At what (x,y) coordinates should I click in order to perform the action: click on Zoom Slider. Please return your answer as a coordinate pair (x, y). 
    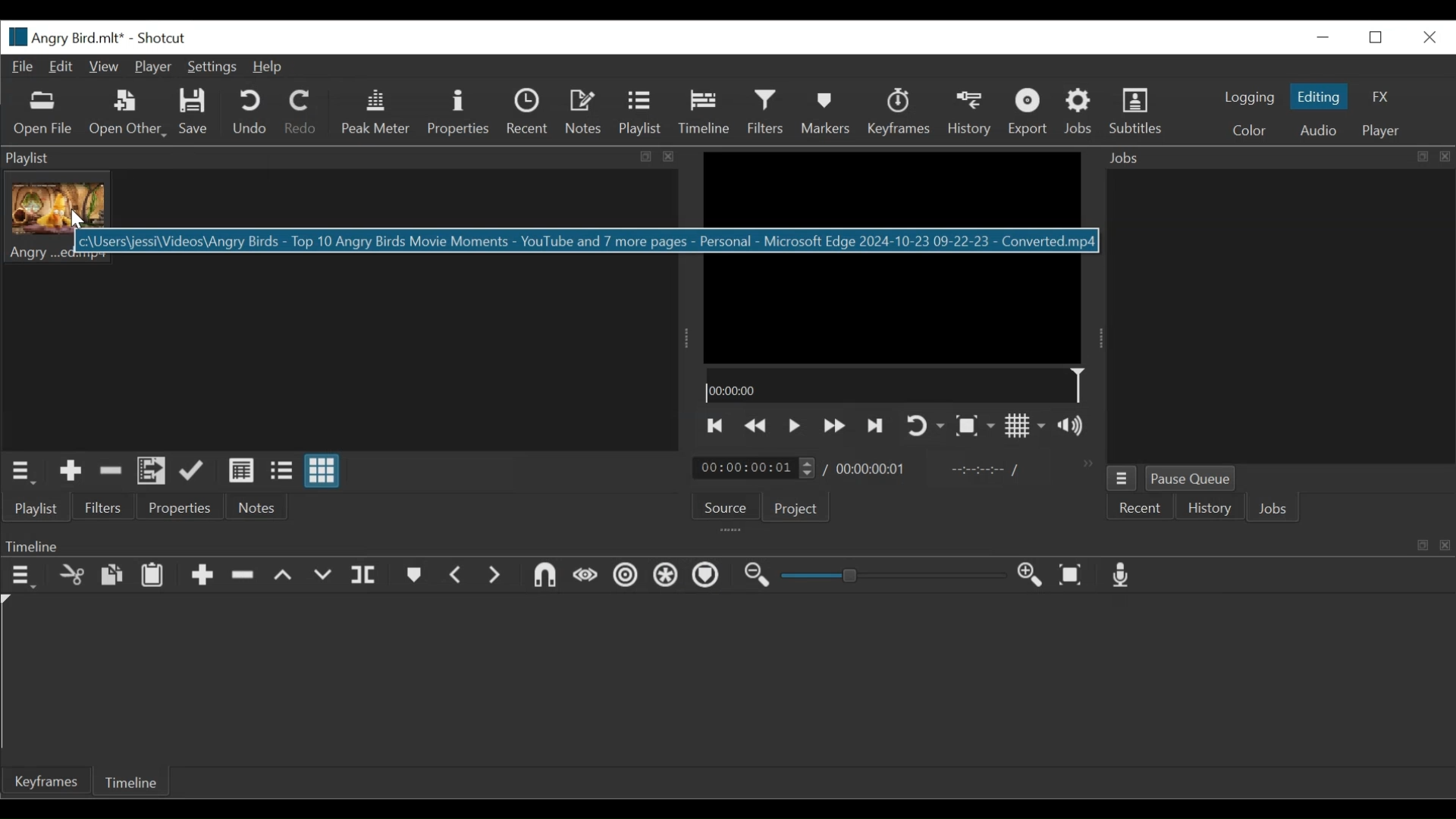
    Looking at the image, I should click on (896, 576).